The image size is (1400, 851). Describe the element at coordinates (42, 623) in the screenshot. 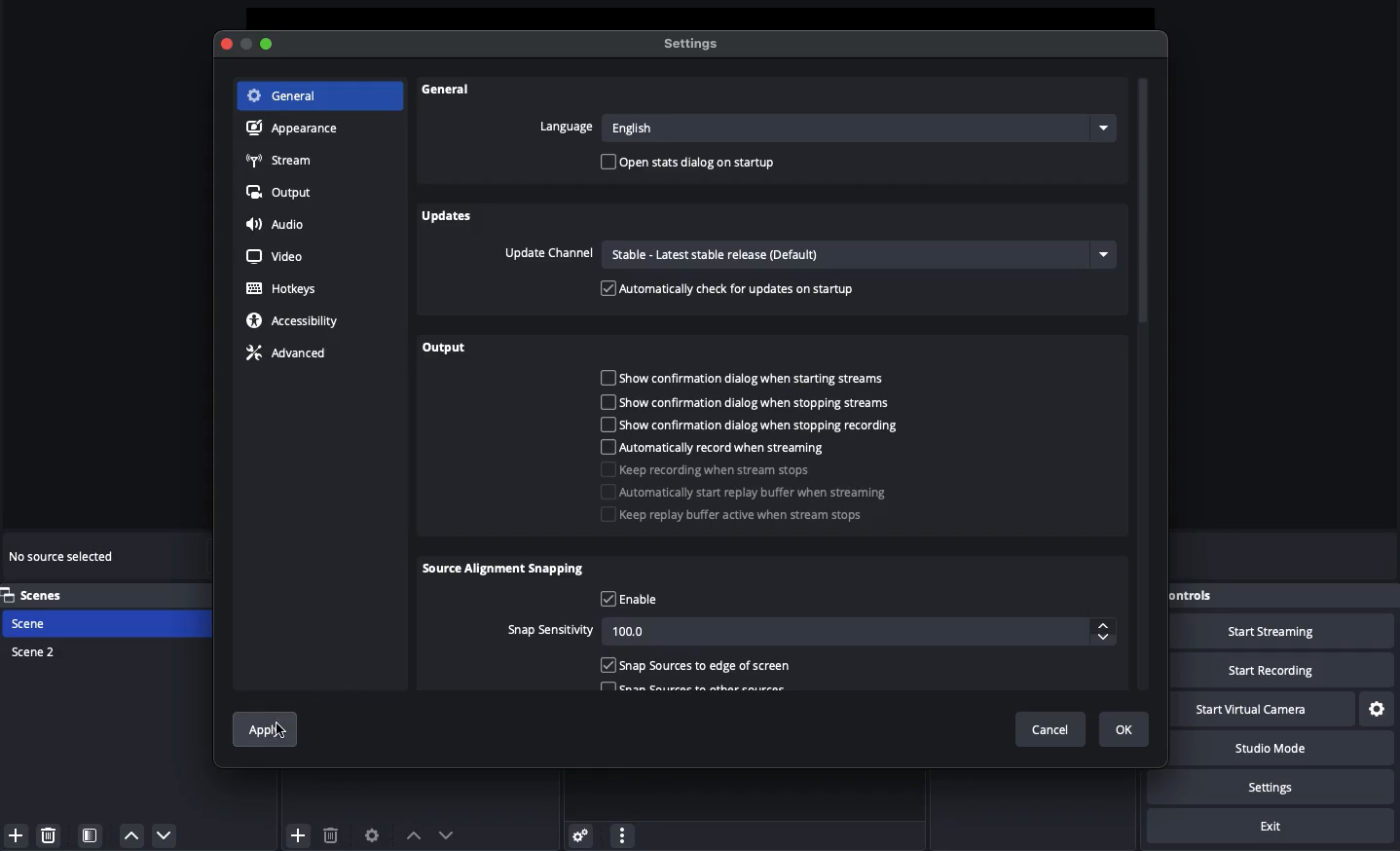

I see `Scene 1` at that location.